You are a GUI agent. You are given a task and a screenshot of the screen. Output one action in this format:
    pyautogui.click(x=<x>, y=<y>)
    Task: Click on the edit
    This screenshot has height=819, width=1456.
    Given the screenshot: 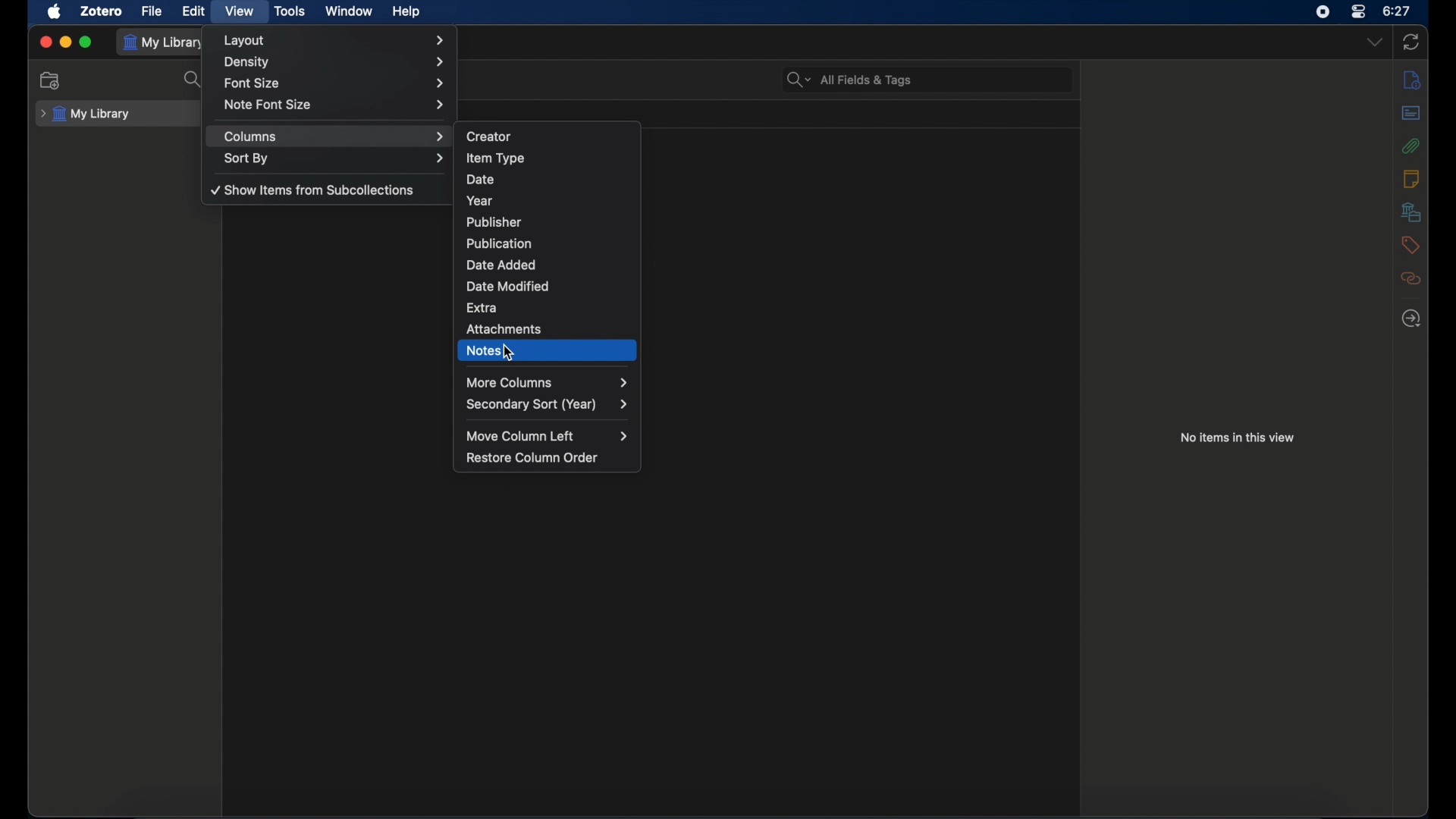 What is the action you would take?
    pyautogui.click(x=195, y=11)
    